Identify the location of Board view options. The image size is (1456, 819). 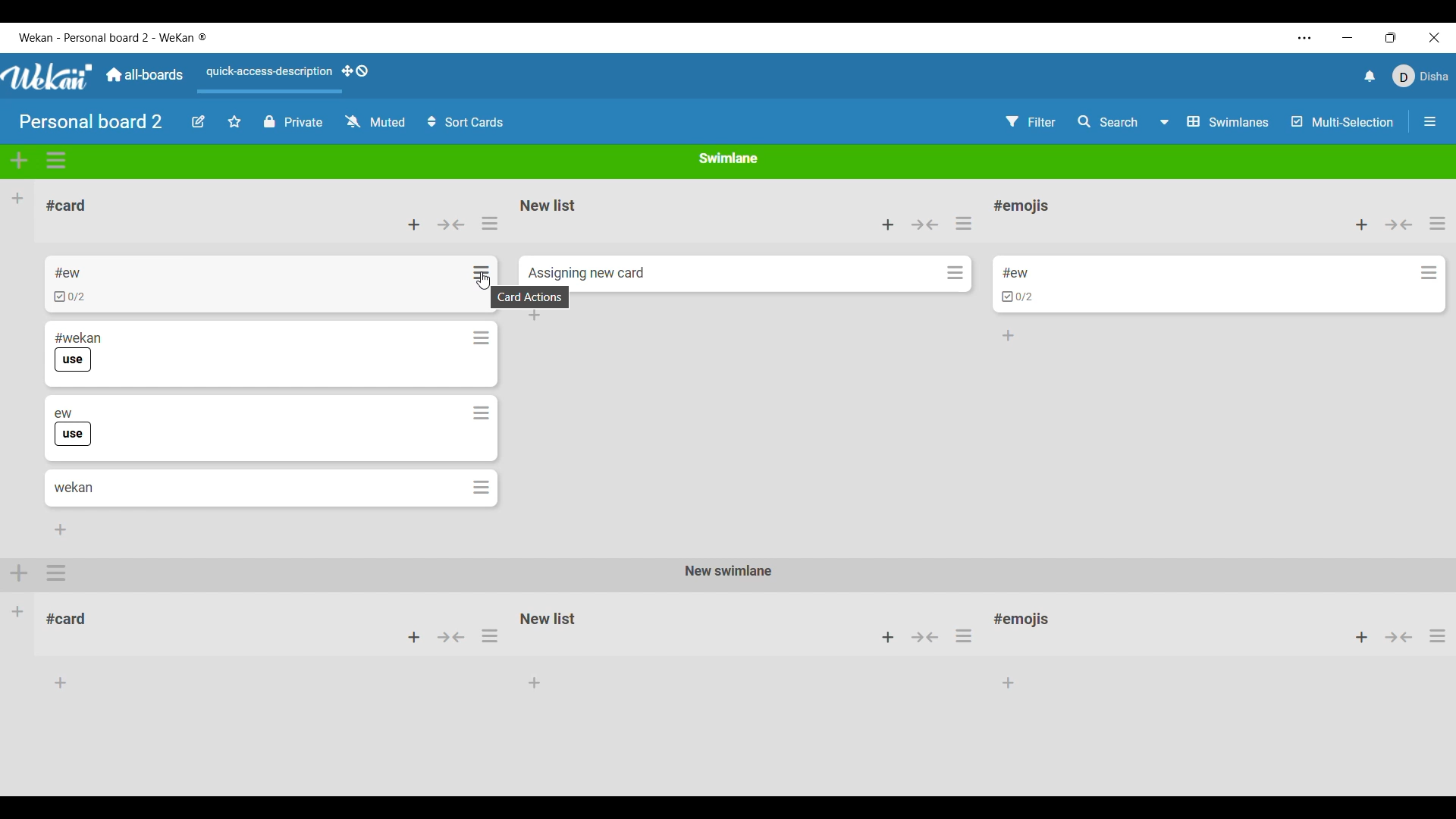
(1215, 122).